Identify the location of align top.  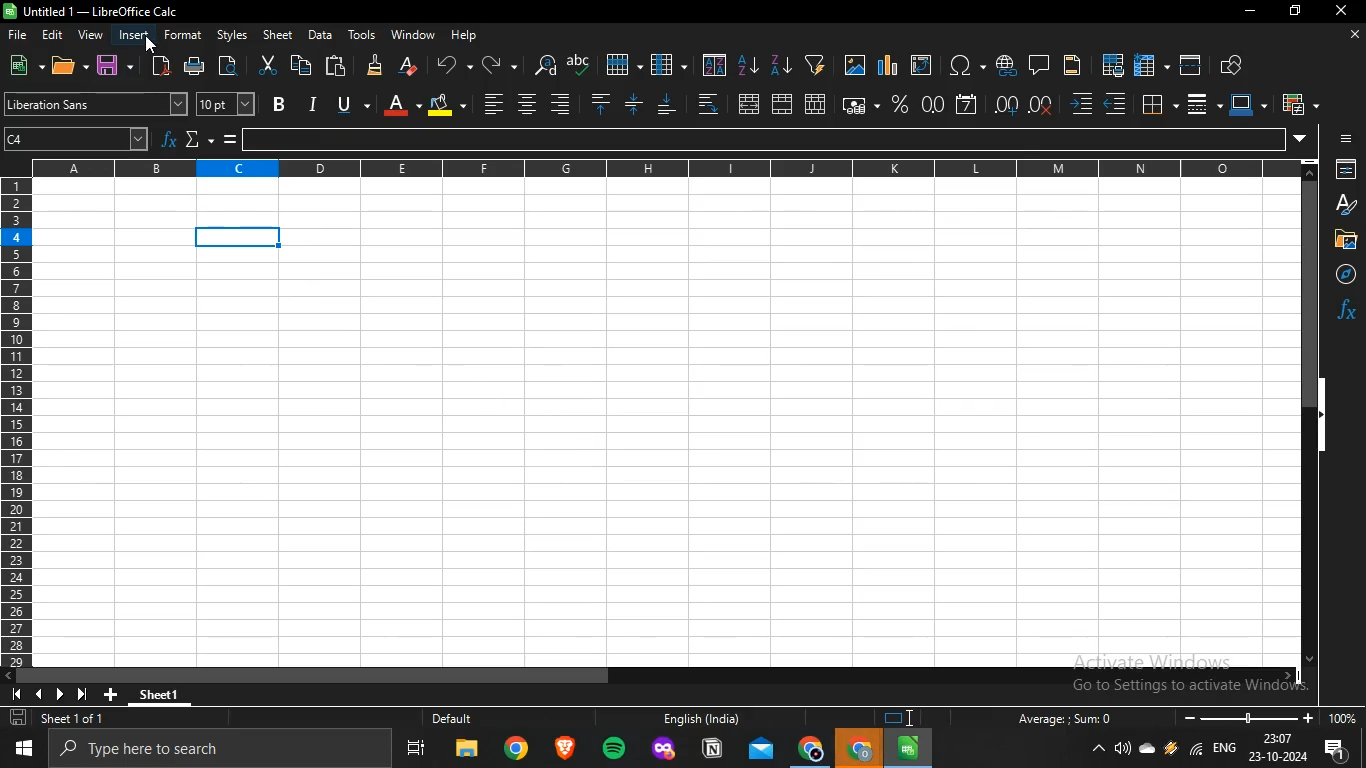
(600, 104).